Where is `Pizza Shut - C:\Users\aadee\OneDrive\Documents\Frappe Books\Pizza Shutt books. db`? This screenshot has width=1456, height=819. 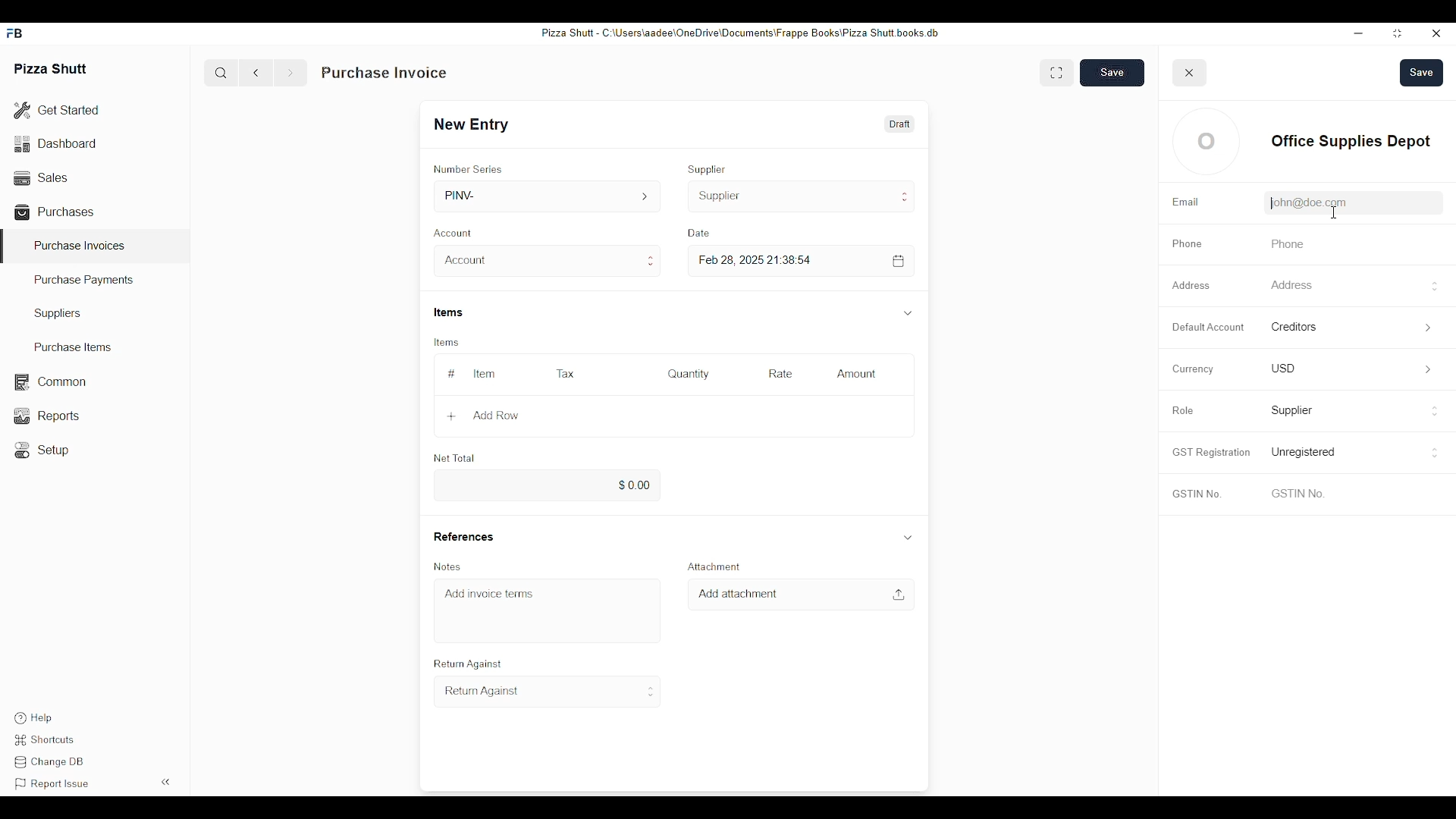
Pizza Shut - C:\Users\aadee\OneDrive\Documents\Frappe Books\Pizza Shutt books. db is located at coordinates (739, 32).